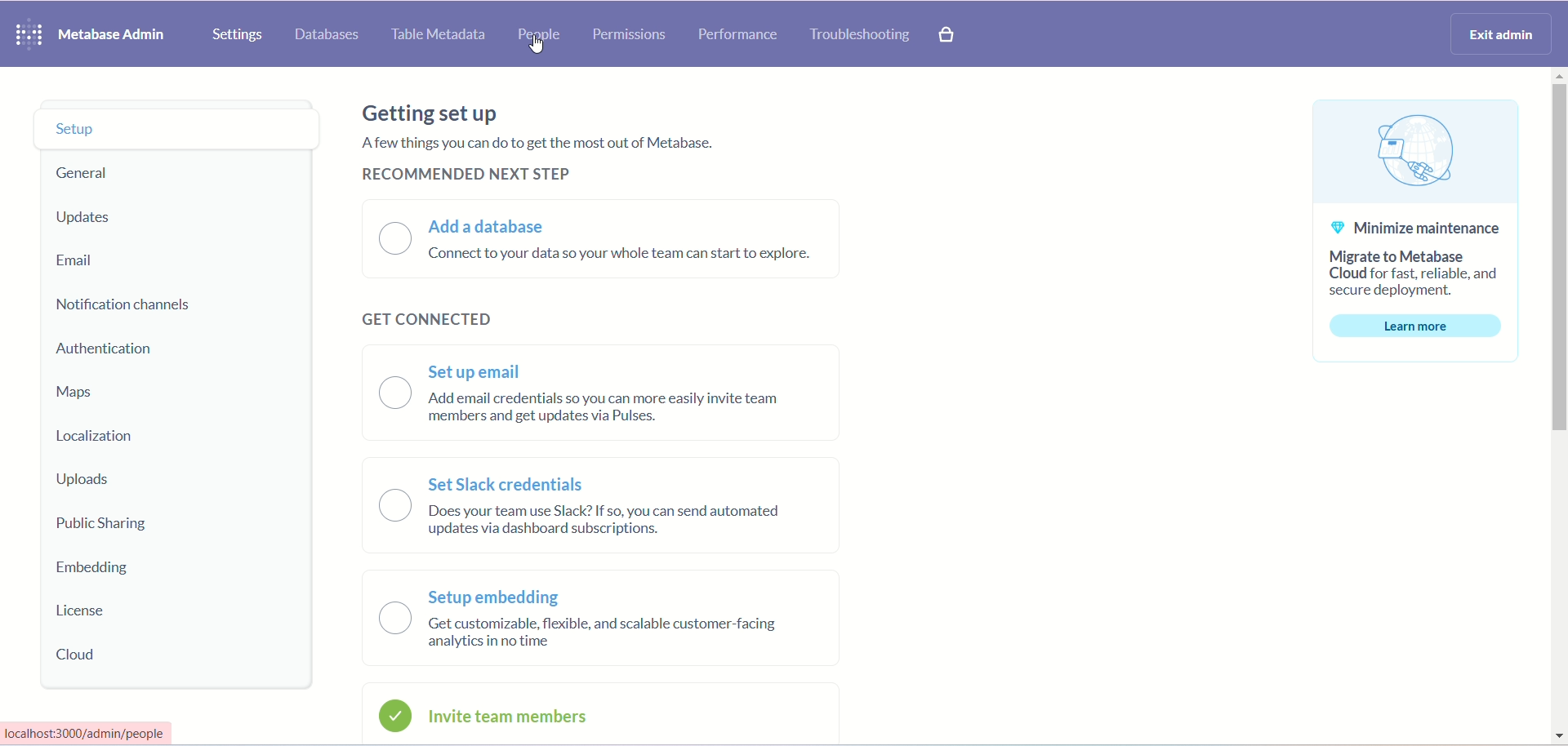 The width and height of the screenshot is (1568, 746). Describe the element at coordinates (619, 623) in the screenshot. I see `setup embedding` at that location.